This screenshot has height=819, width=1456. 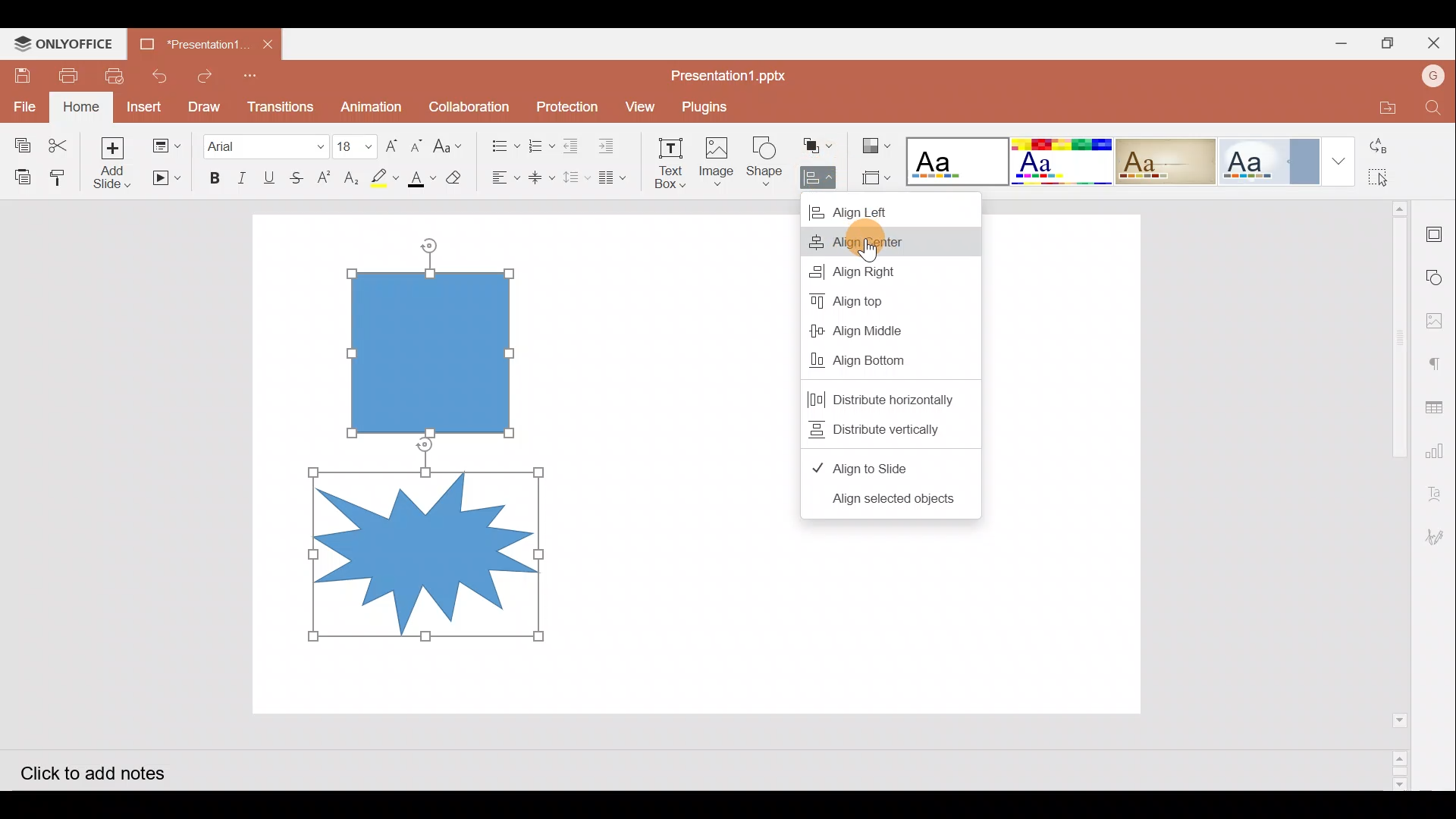 What do you see at coordinates (576, 178) in the screenshot?
I see `Line spacing` at bounding box center [576, 178].